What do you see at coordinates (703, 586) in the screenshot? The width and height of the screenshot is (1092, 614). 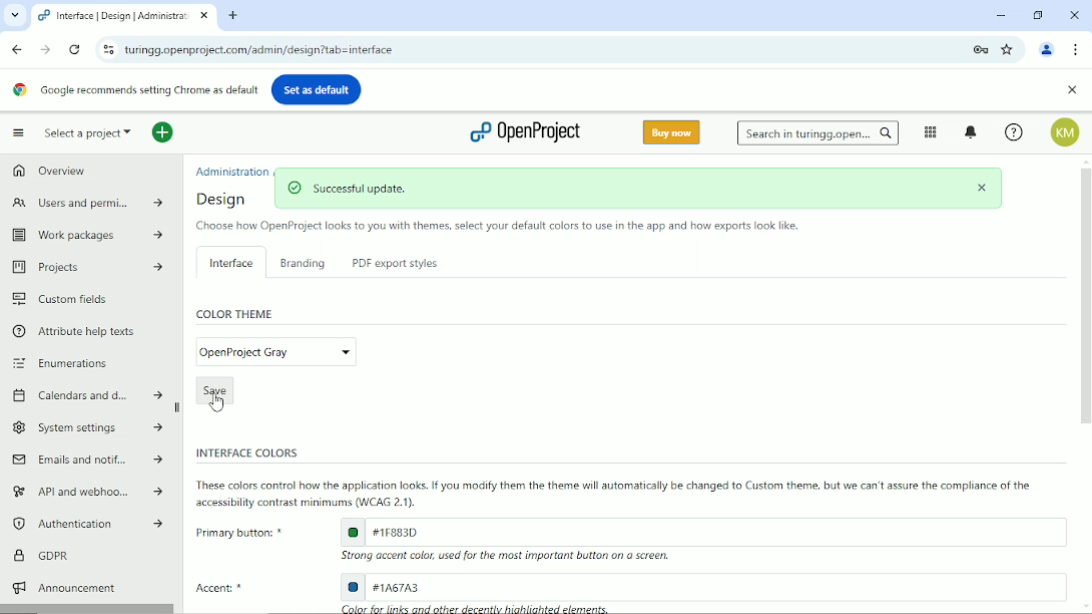 I see `accent` at bounding box center [703, 586].